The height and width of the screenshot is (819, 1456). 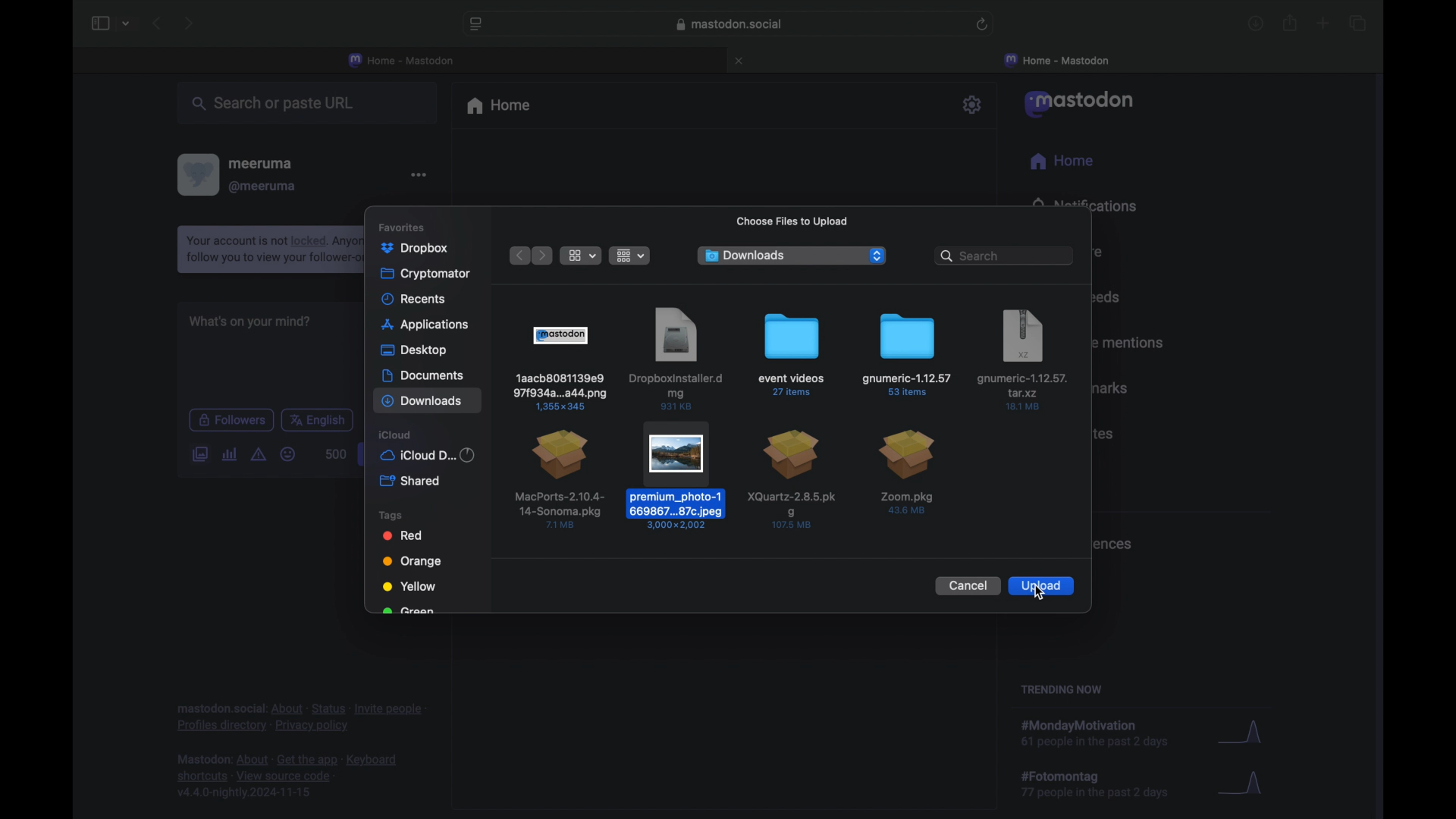 I want to click on hashtag trend, so click(x=1106, y=730).